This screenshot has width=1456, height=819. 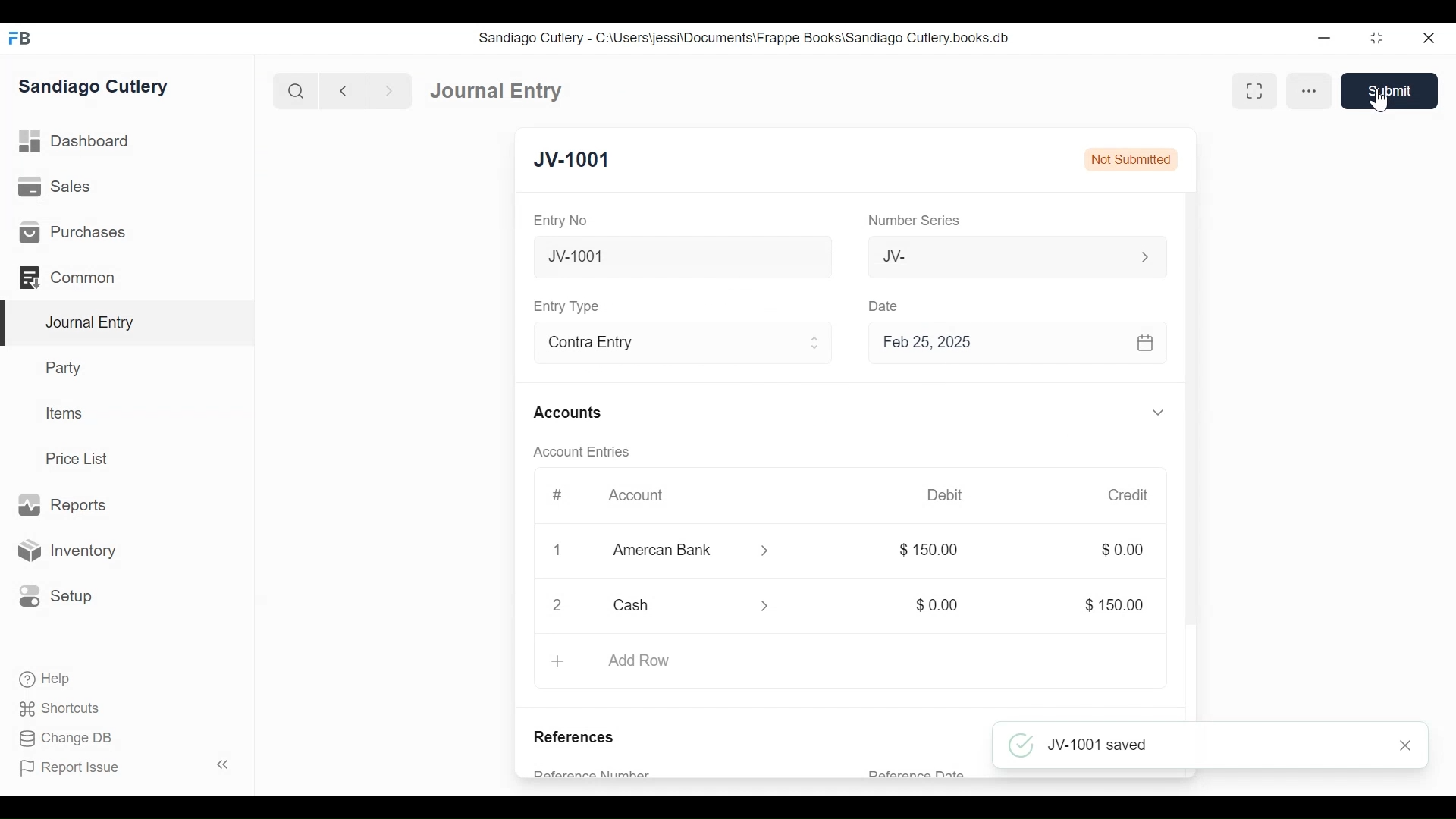 What do you see at coordinates (639, 661) in the screenshot?
I see `Add Row` at bounding box center [639, 661].